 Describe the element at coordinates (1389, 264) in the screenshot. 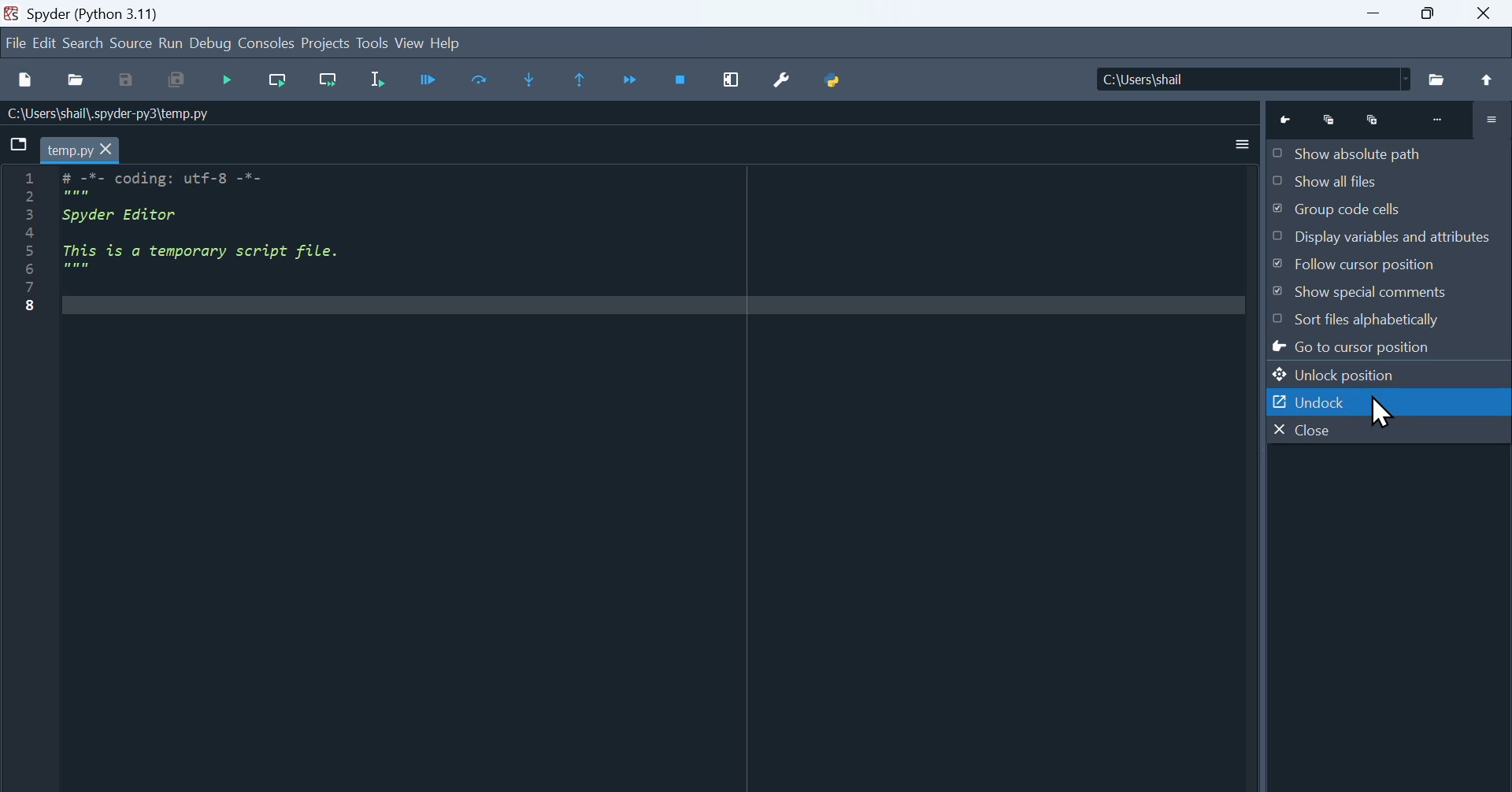

I see `Follow cursor position` at that location.